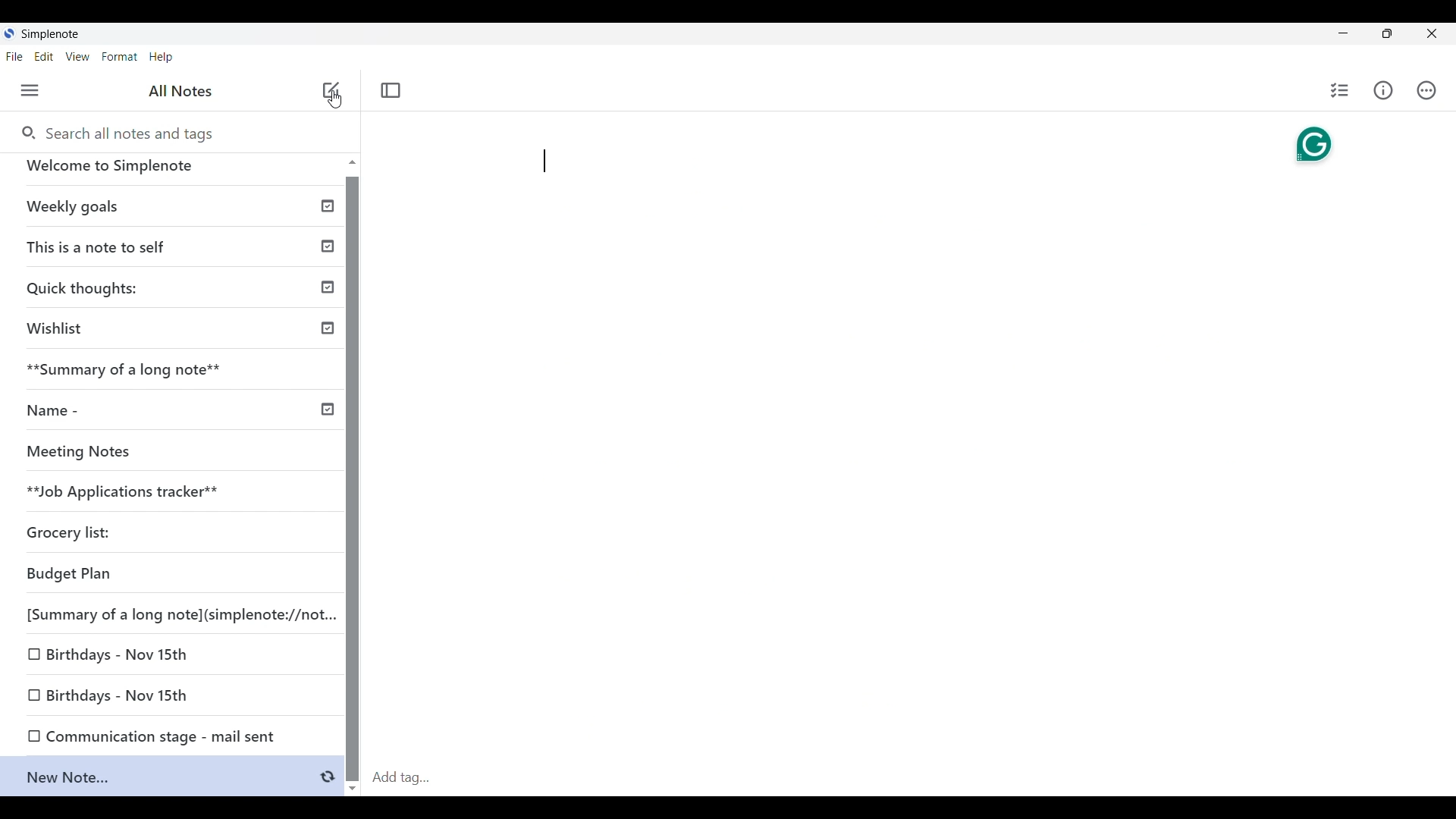 The width and height of the screenshot is (1456, 819). What do you see at coordinates (1339, 90) in the screenshot?
I see `Insert cheklist` at bounding box center [1339, 90].